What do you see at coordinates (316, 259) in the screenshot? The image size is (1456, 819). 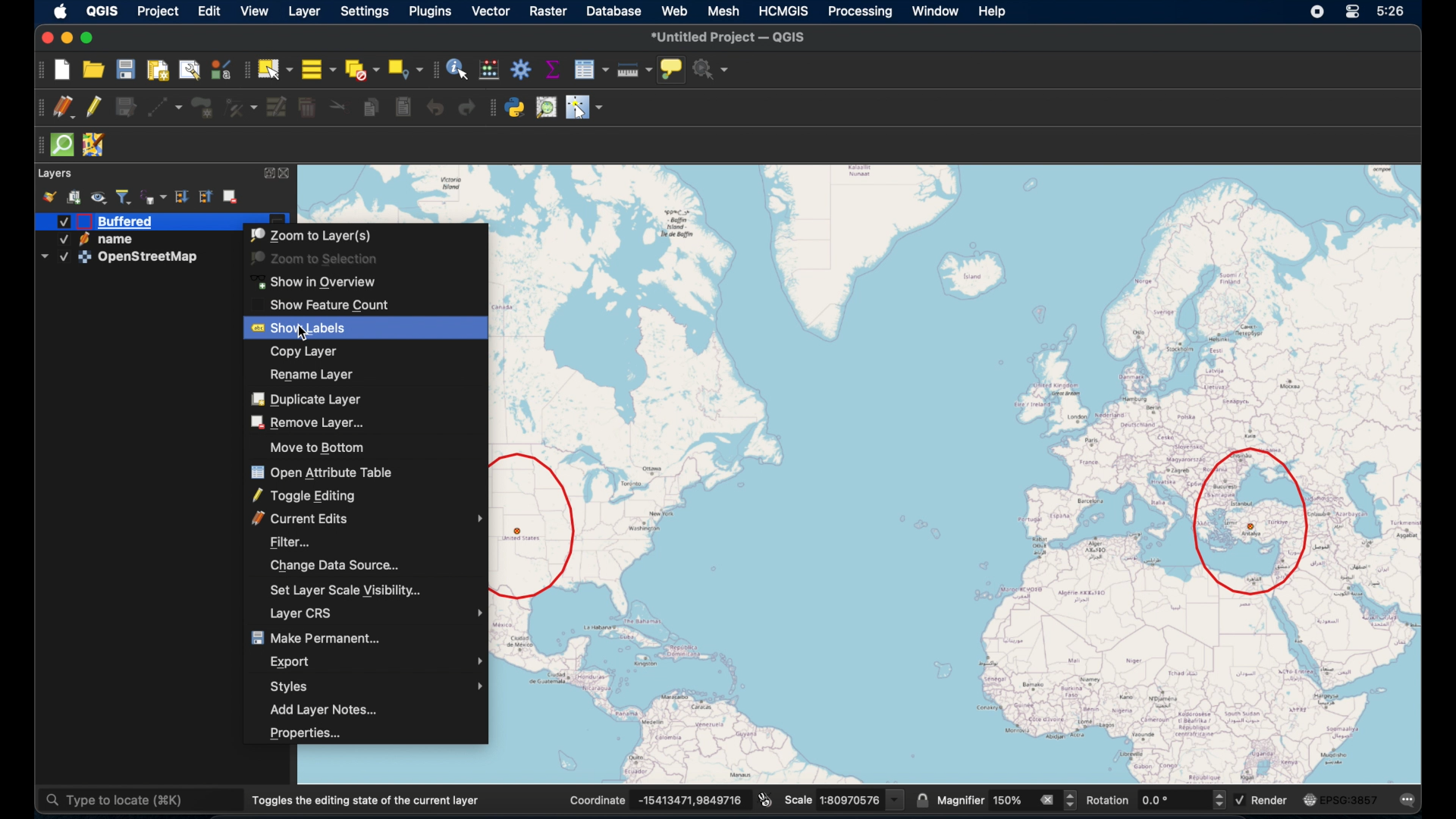 I see `zoom to selection` at bounding box center [316, 259].